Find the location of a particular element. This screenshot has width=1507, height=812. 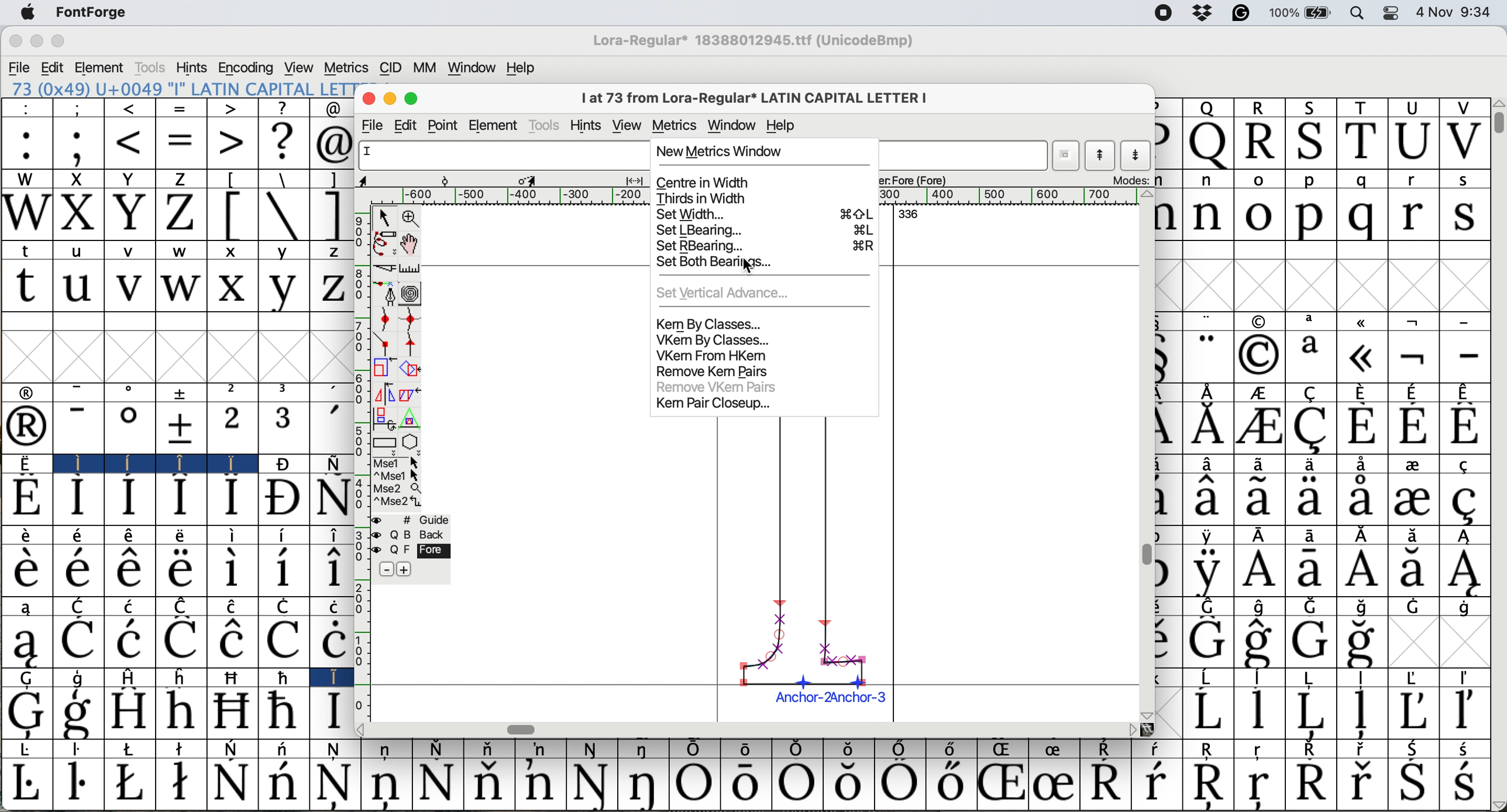

Symbol is located at coordinates (25, 642).